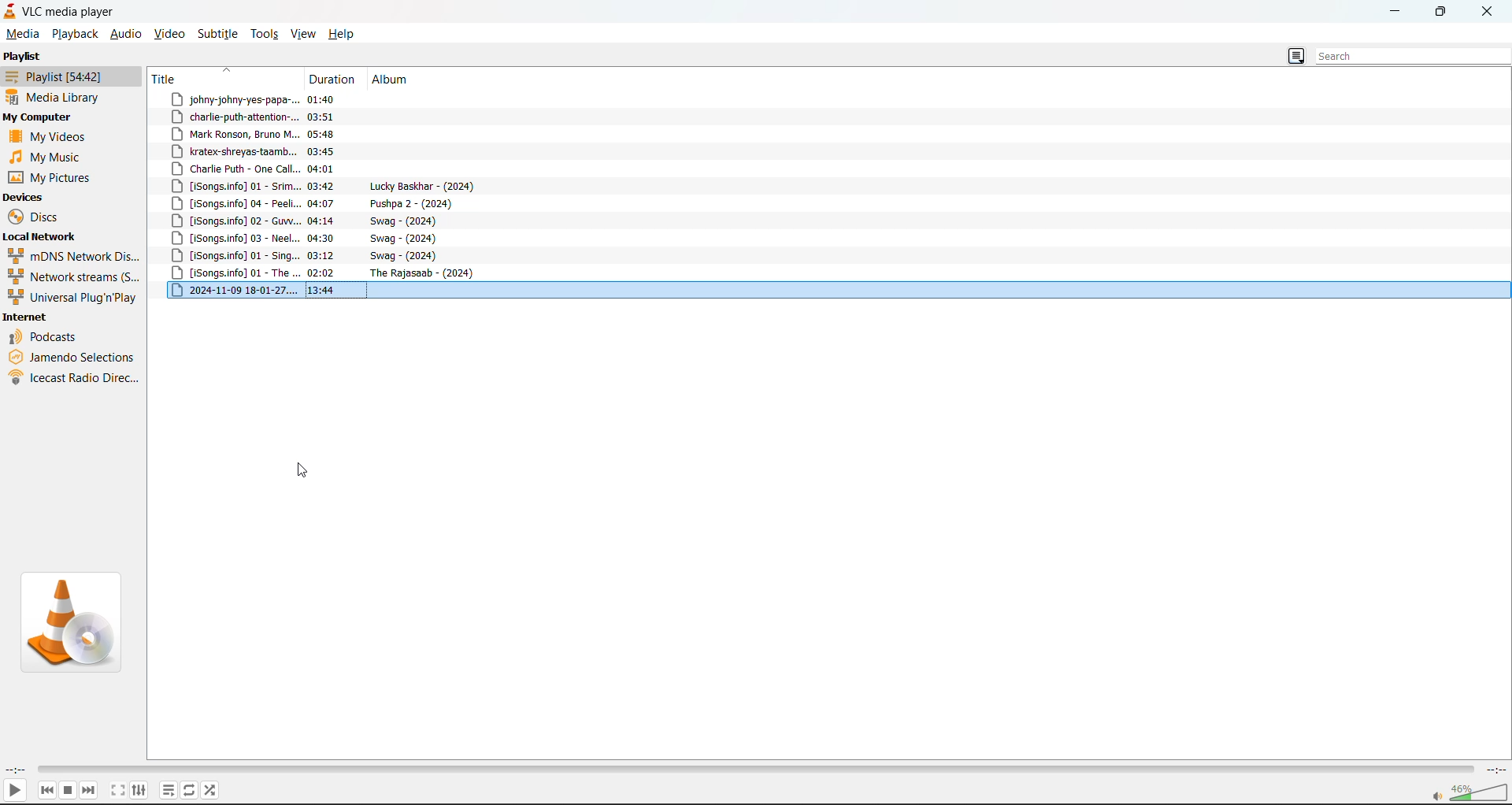 Image resolution: width=1512 pixels, height=805 pixels. What do you see at coordinates (41, 116) in the screenshot?
I see `my computer` at bounding box center [41, 116].